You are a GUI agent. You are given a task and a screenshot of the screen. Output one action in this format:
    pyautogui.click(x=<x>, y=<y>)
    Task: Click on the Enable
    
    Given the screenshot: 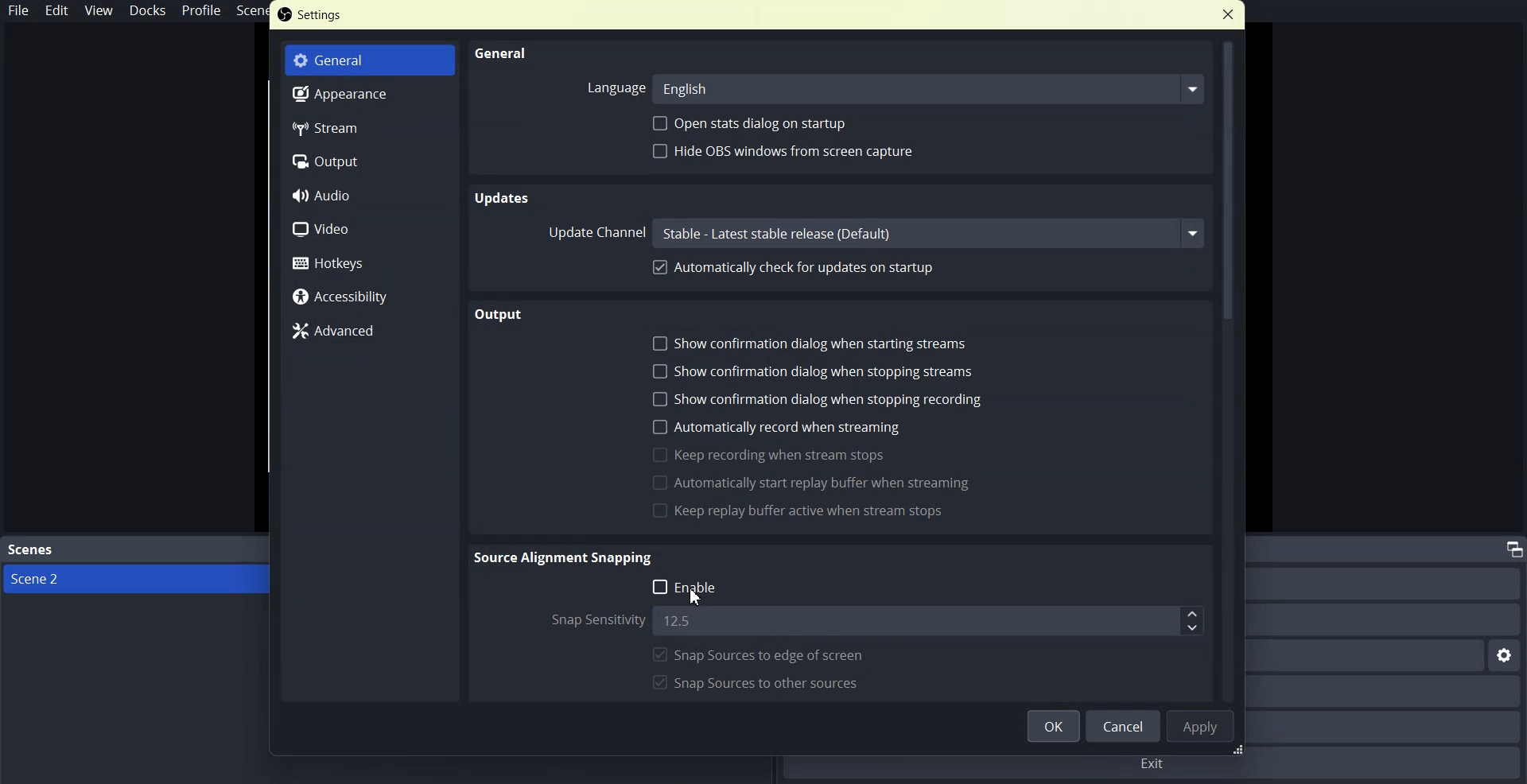 What is the action you would take?
    pyautogui.click(x=689, y=587)
    